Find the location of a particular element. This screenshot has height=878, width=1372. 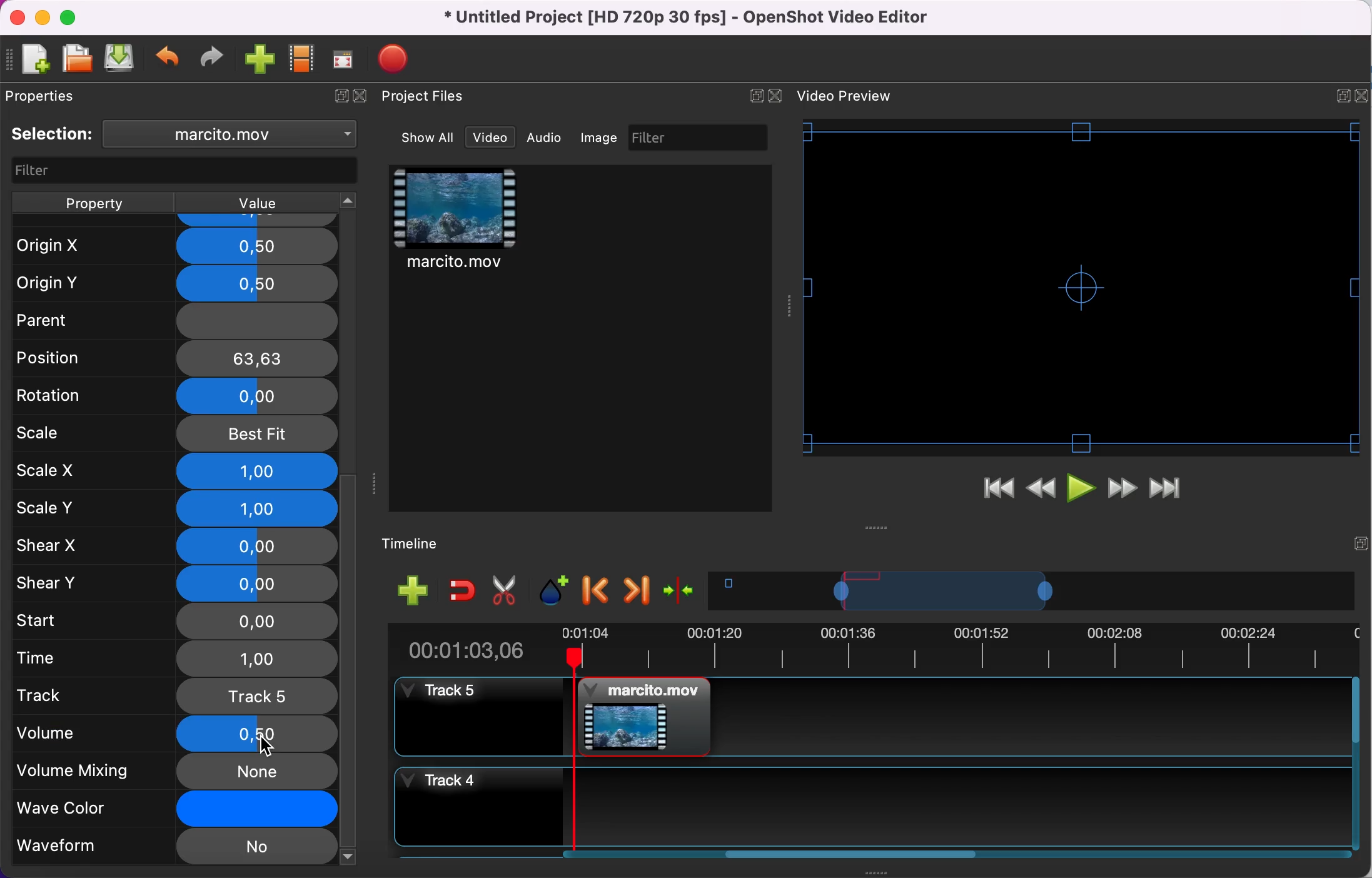

close is located at coordinates (17, 18).